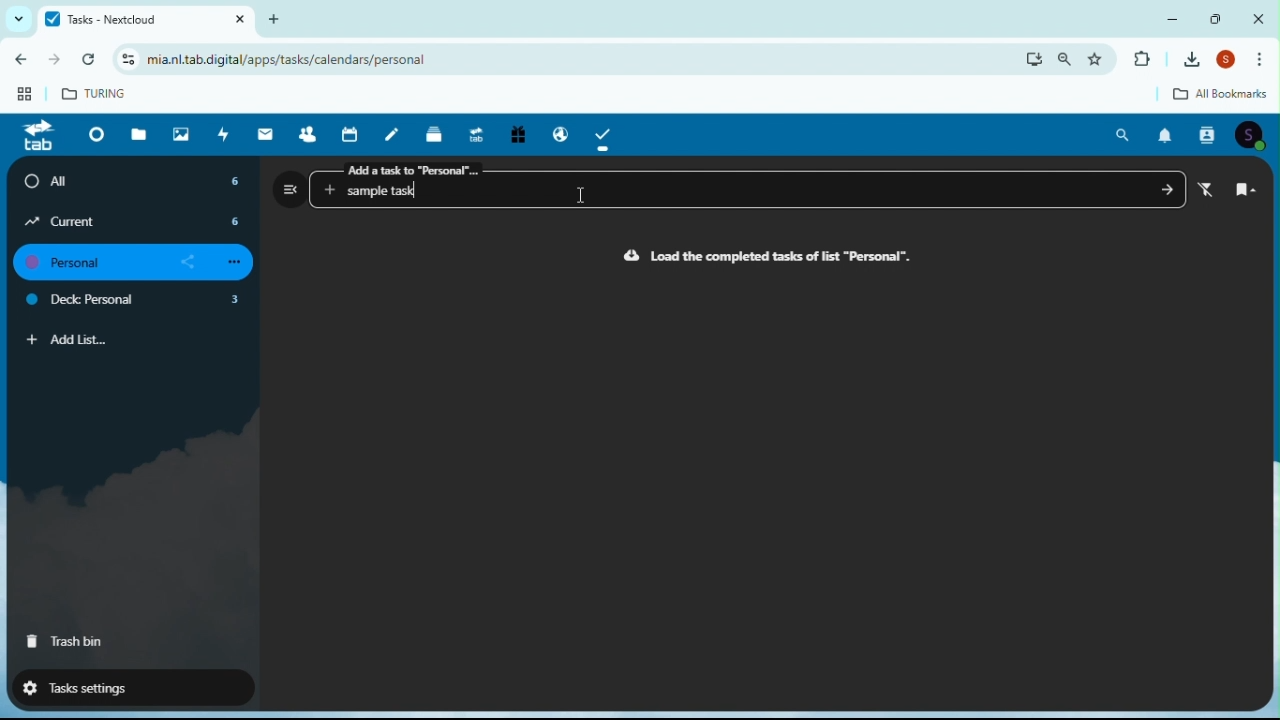 This screenshot has width=1280, height=720. I want to click on backward, so click(18, 63).